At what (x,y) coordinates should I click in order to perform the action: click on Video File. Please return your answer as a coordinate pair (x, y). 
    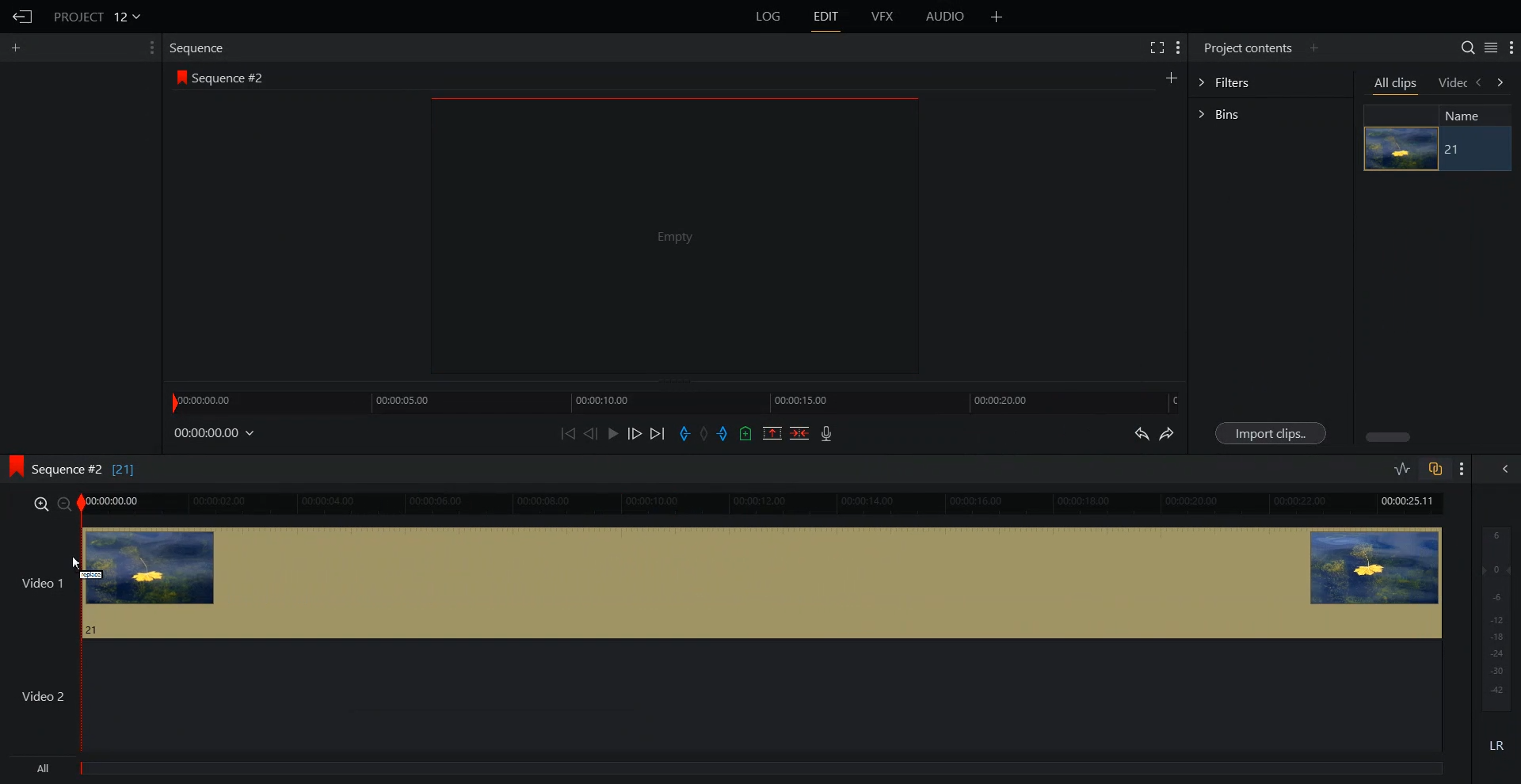
    Looking at the image, I should click on (1399, 149).